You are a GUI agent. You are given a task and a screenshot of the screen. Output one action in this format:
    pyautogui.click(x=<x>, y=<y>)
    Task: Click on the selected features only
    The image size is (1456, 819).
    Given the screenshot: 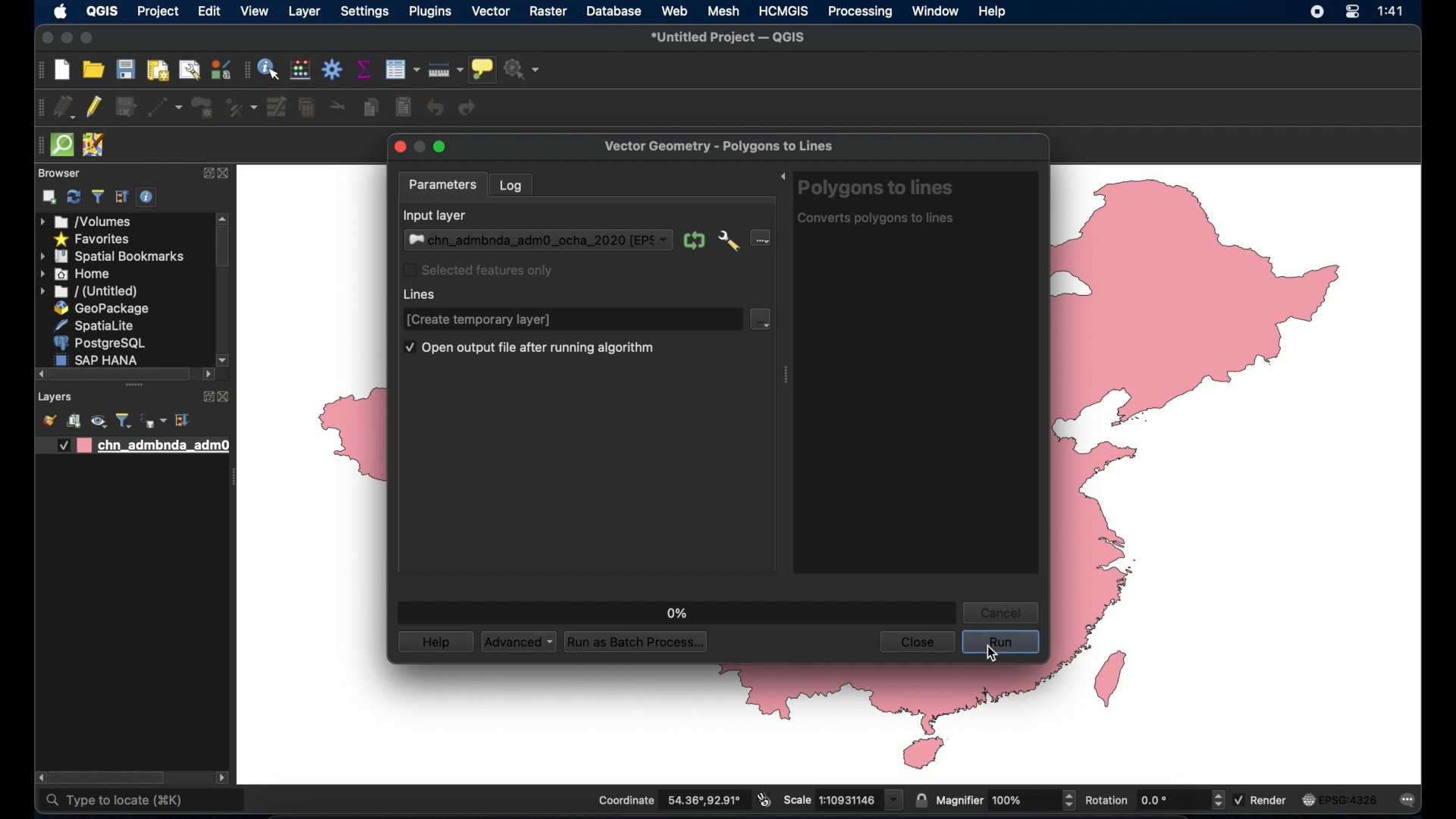 What is the action you would take?
    pyautogui.click(x=479, y=270)
    